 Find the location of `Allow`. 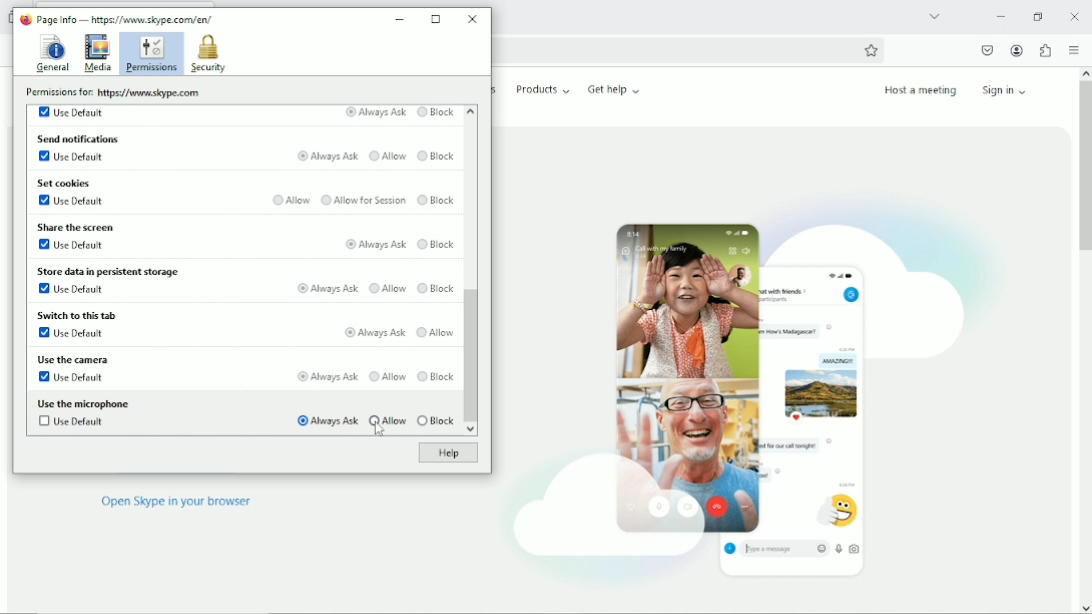

Allow is located at coordinates (388, 287).